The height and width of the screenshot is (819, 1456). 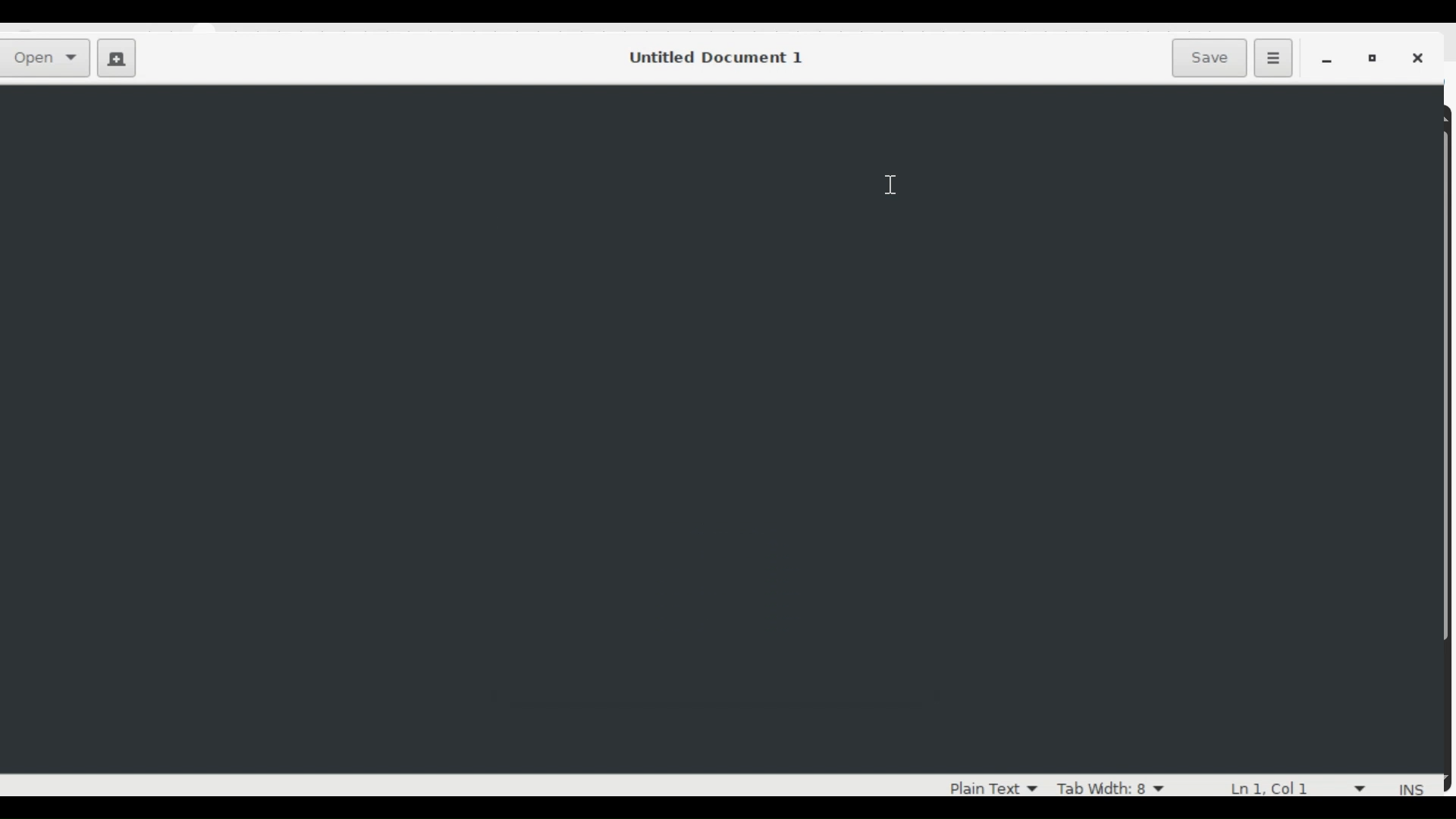 What do you see at coordinates (1413, 789) in the screenshot?
I see `INS` at bounding box center [1413, 789].